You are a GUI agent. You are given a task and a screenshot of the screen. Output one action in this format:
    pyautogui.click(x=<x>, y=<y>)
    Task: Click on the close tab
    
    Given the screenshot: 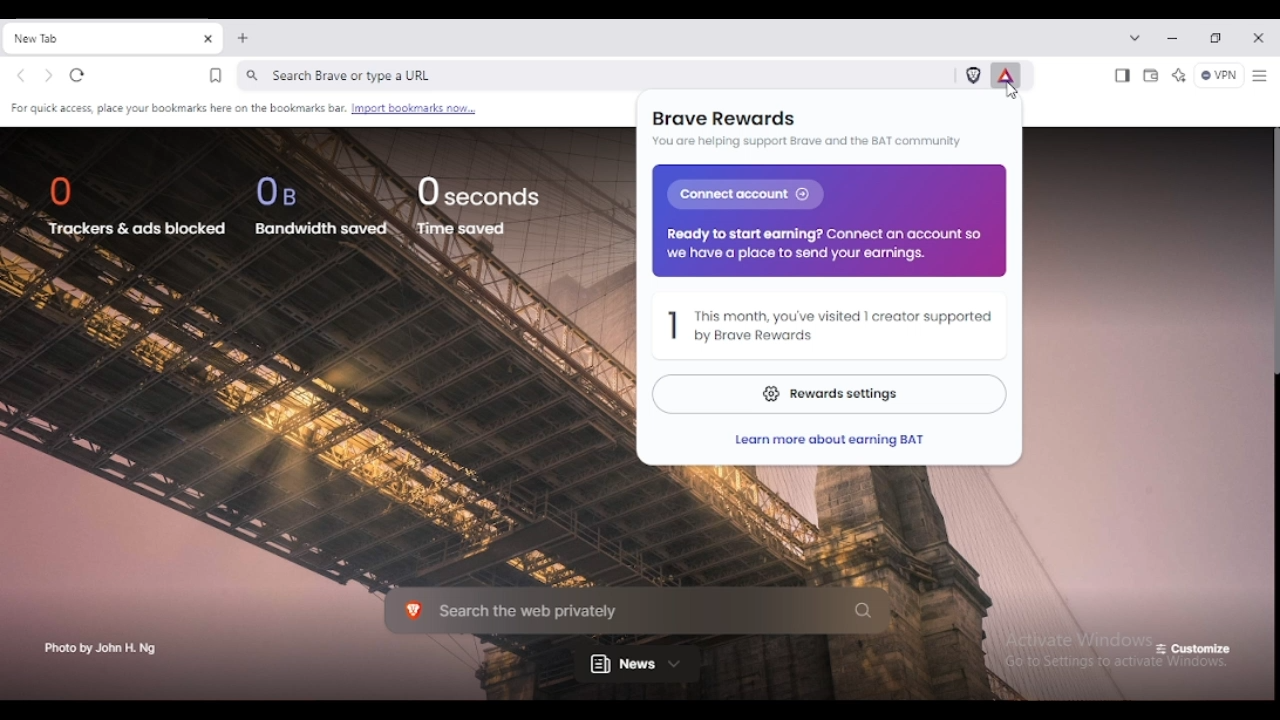 What is the action you would take?
    pyautogui.click(x=209, y=40)
    